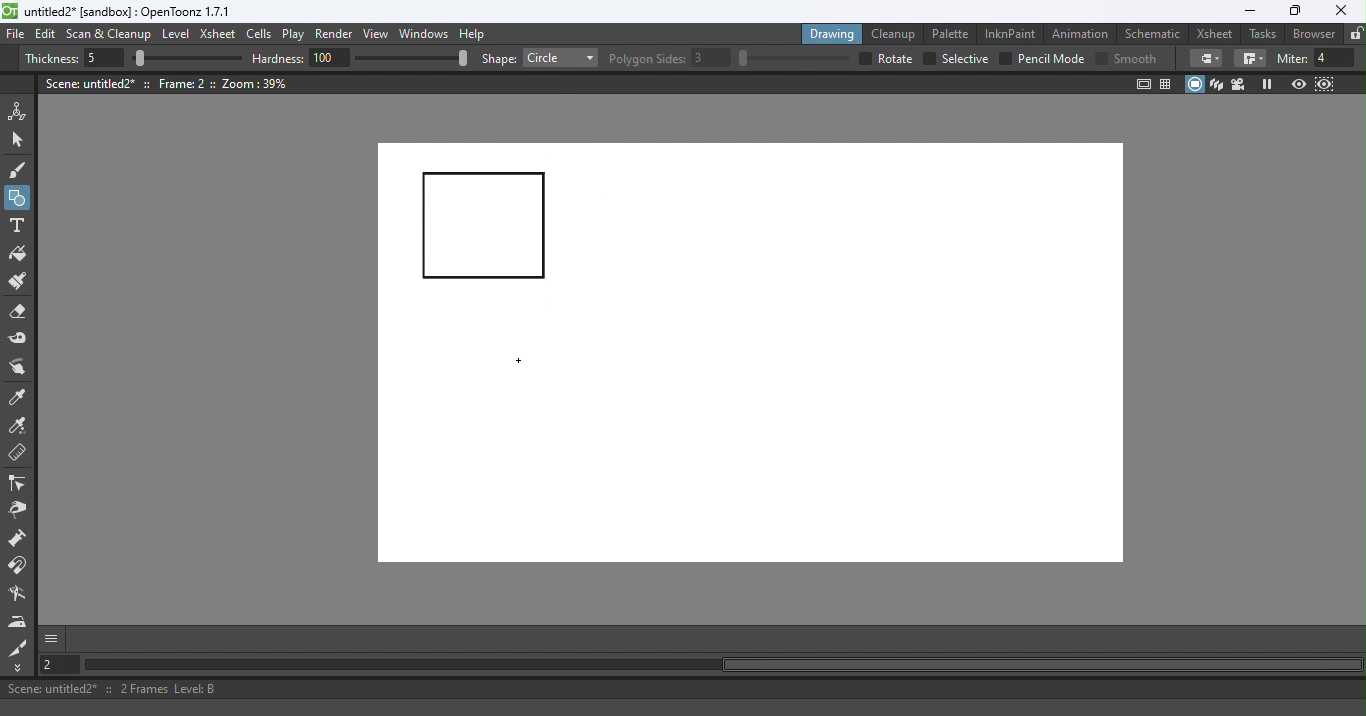  What do you see at coordinates (18, 485) in the screenshot?
I see `Control point editor tool` at bounding box center [18, 485].